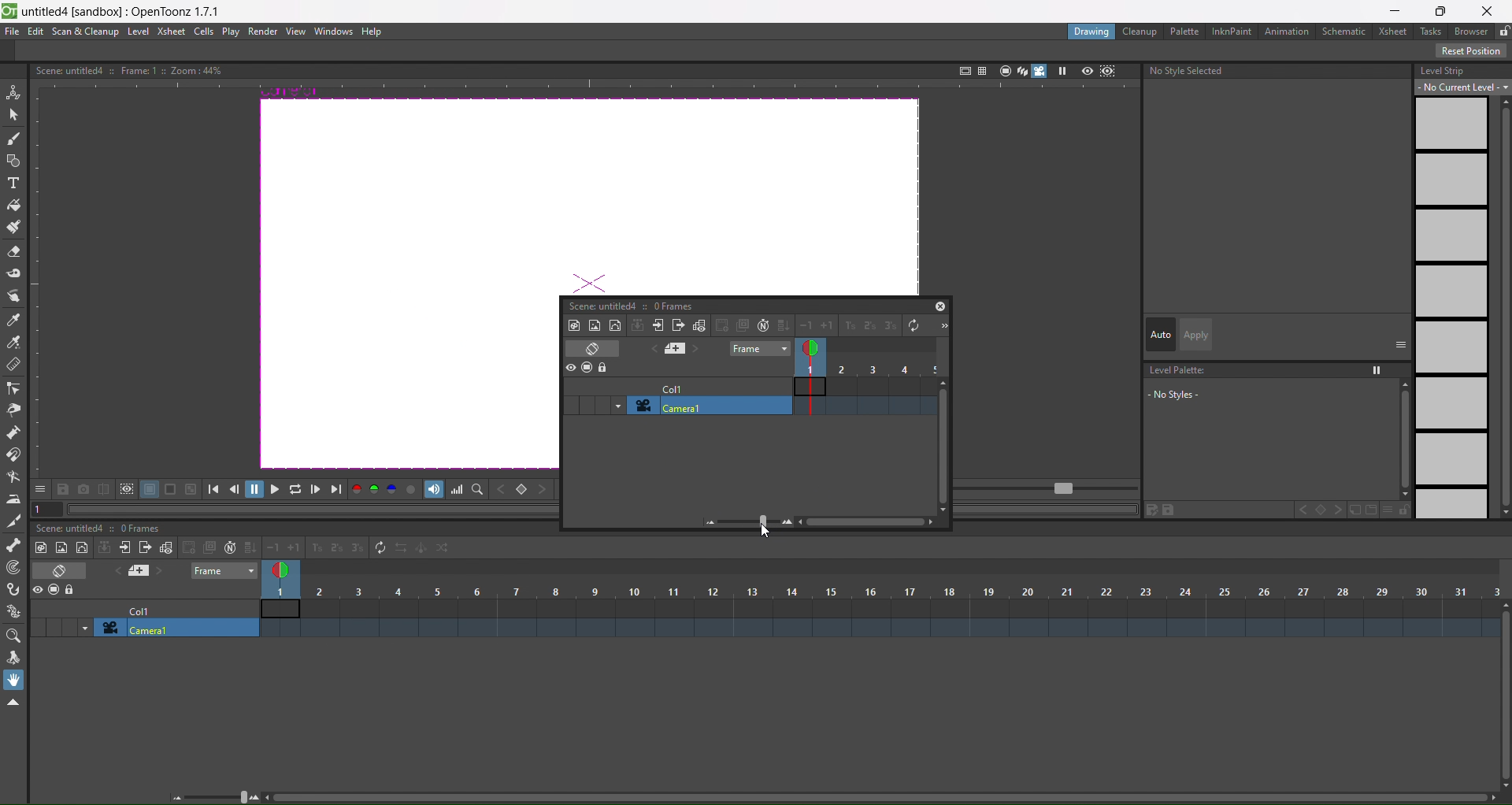 This screenshot has height=805, width=1512. What do you see at coordinates (14, 162) in the screenshot?
I see `geometry tool` at bounding box center [14, 162].